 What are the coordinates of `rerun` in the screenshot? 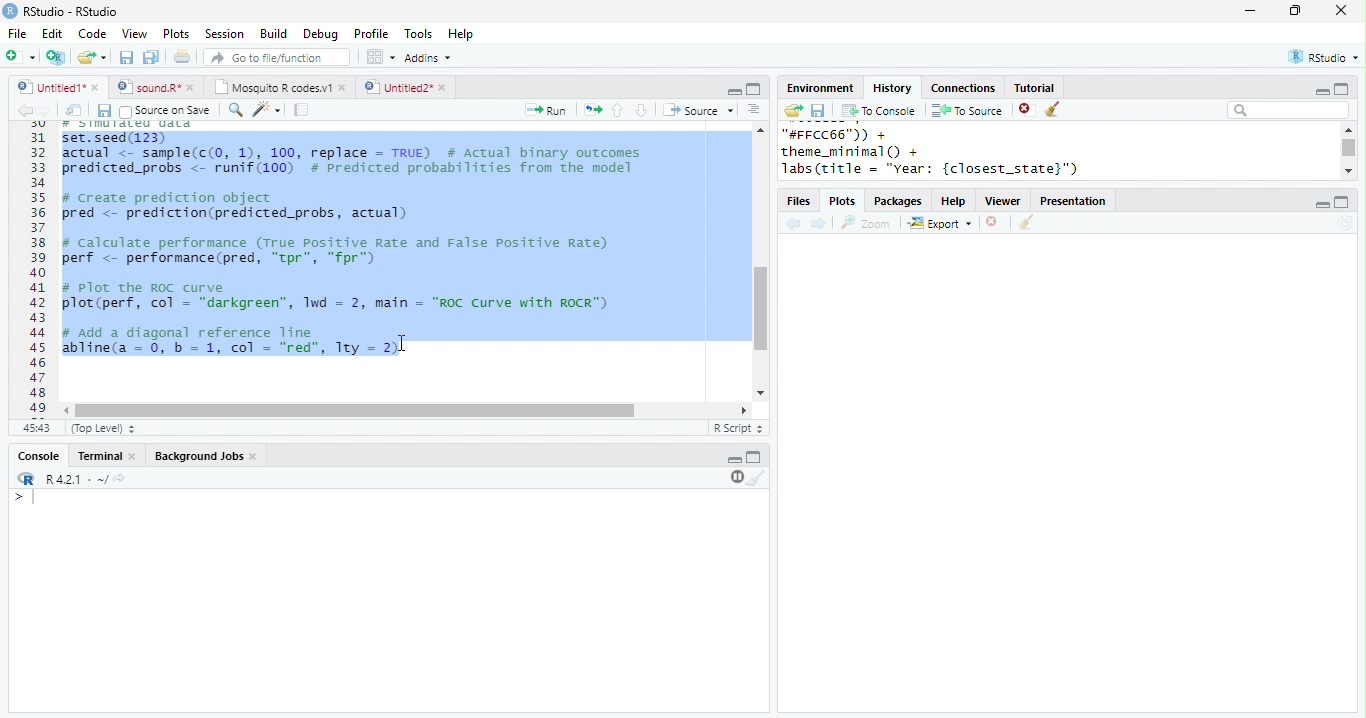 It's located at (593, 110).